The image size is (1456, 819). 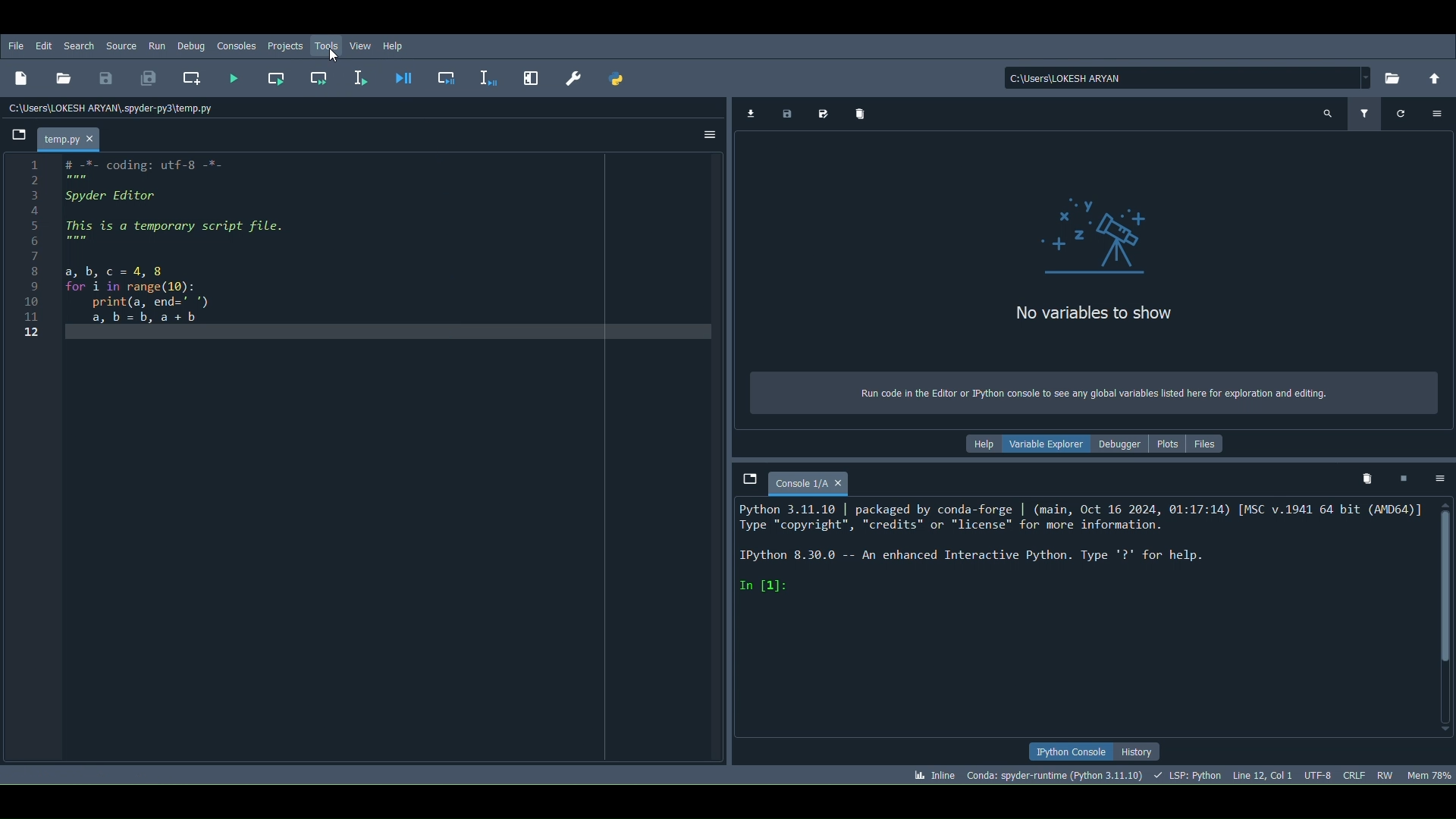 I want to click on Projects, so click(x=286, y=45).